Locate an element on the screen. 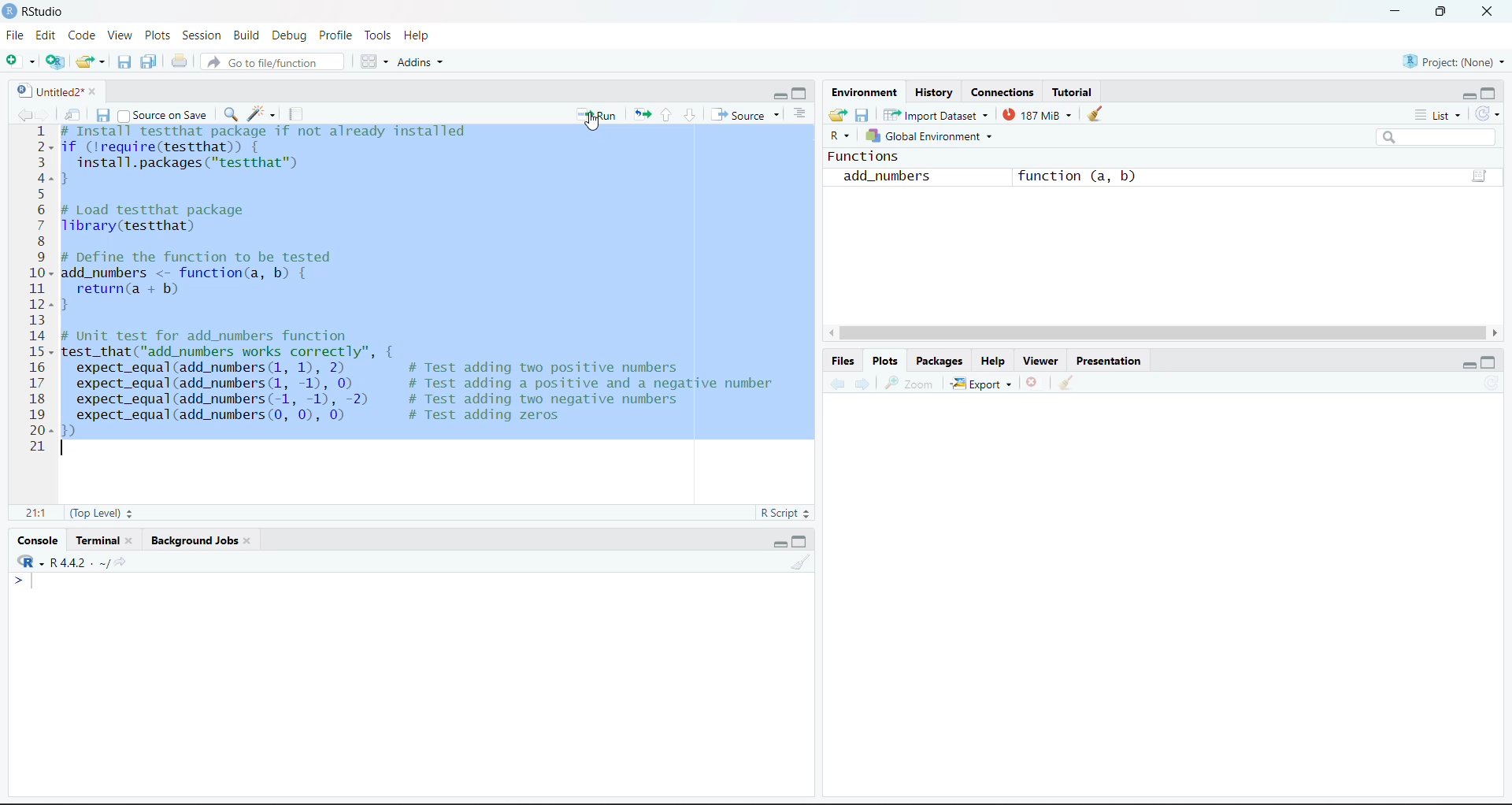 This screenshot has width=1512, height=805. rerun is located at coordinates (642, 115).